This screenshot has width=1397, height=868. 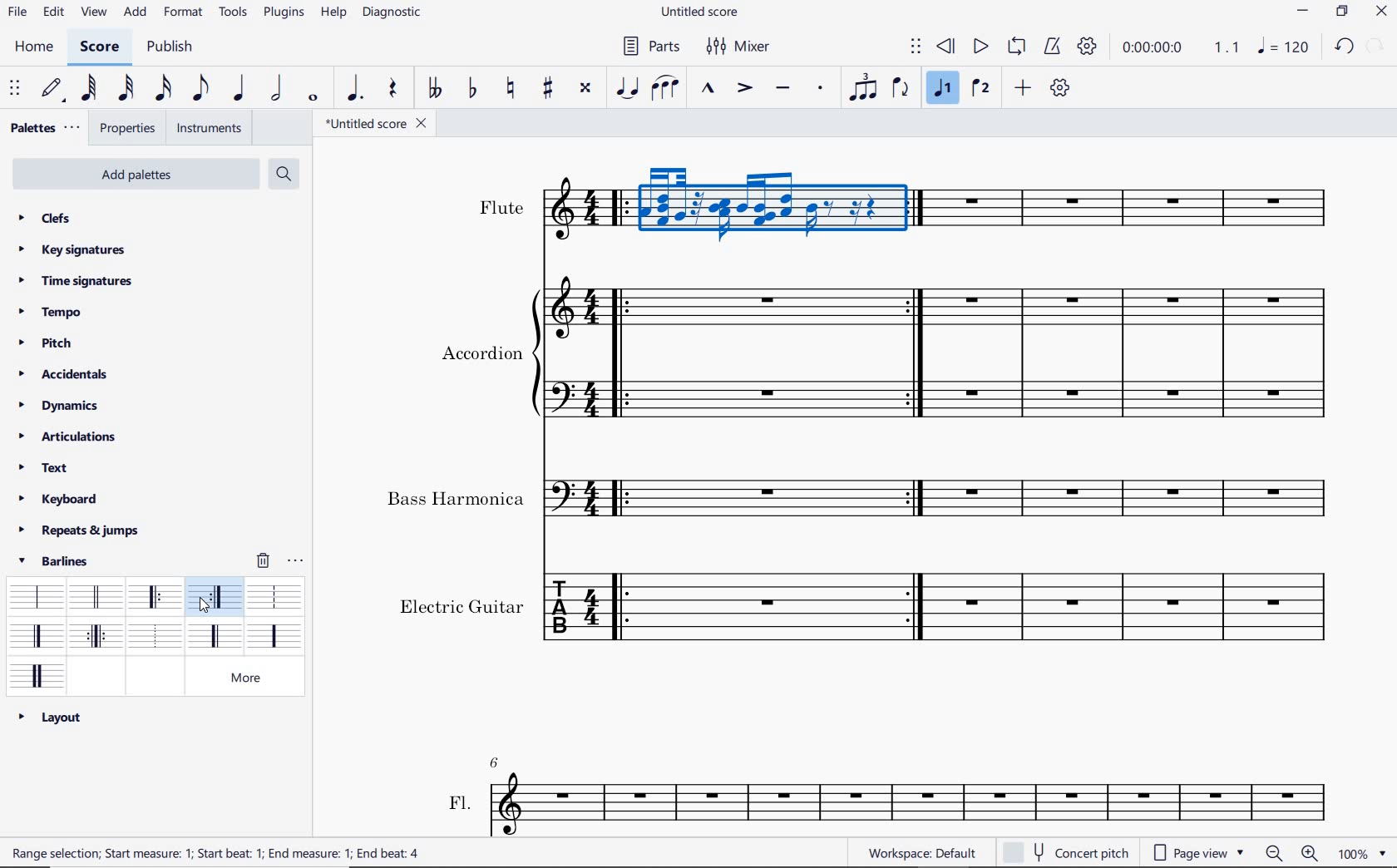 What do you see at coordinates (570, 215) in the screenshot?
I see `Instrument: Flute` at bounding box center [570, 215].